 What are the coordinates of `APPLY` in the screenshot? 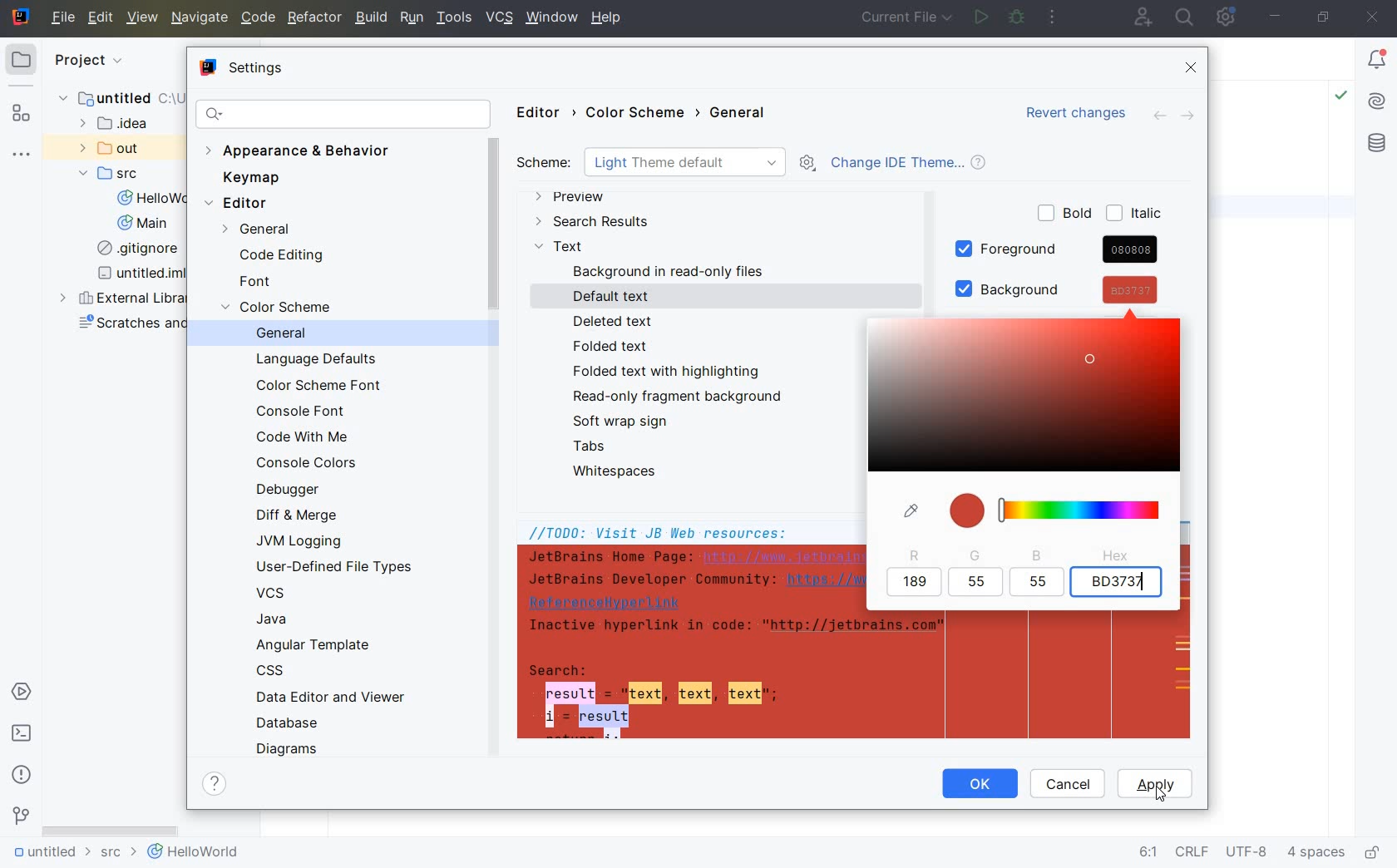 It's located at (1160, 776).